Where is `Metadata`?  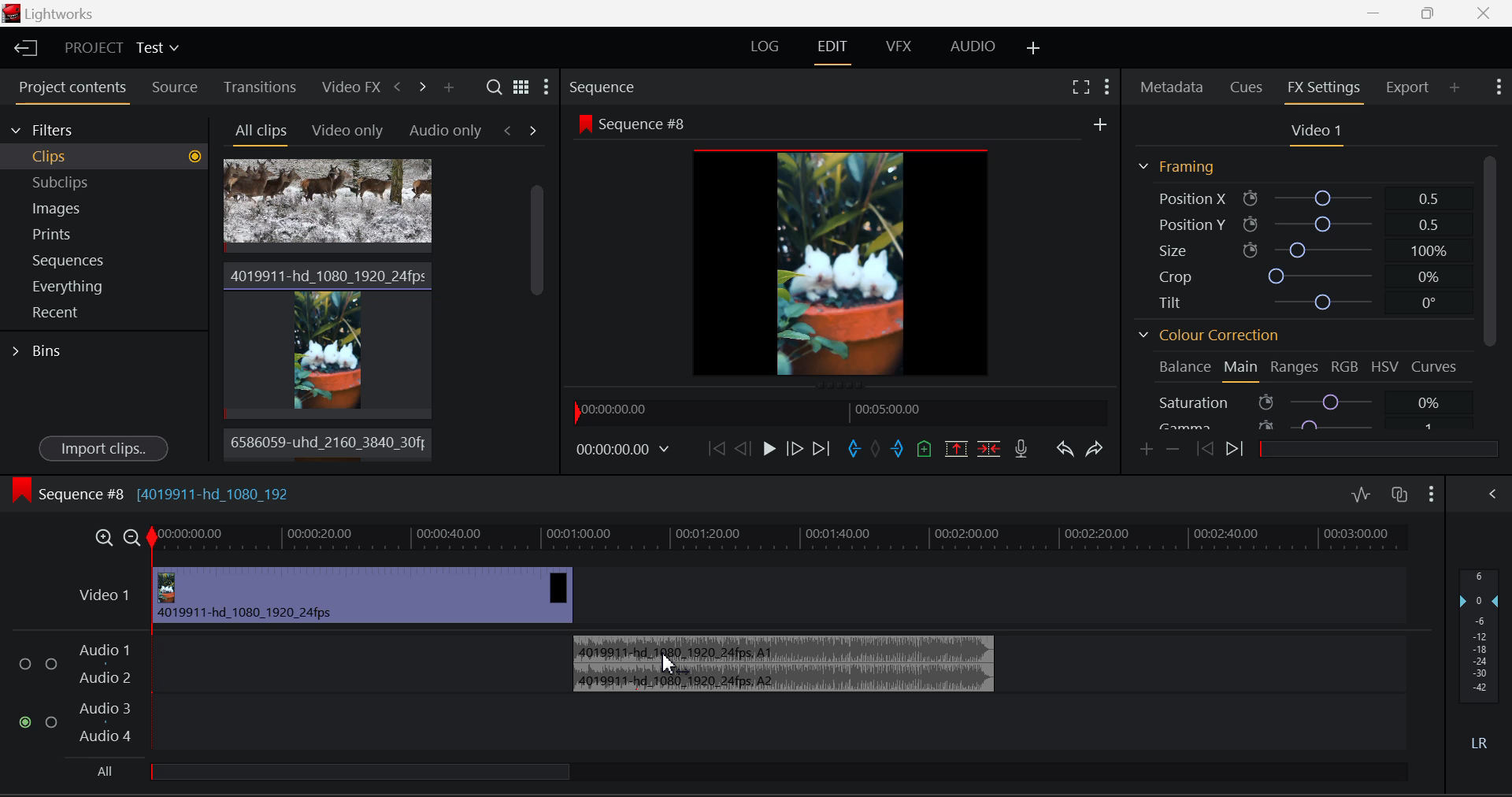
Metadata is located at coordinates (1173, 86).